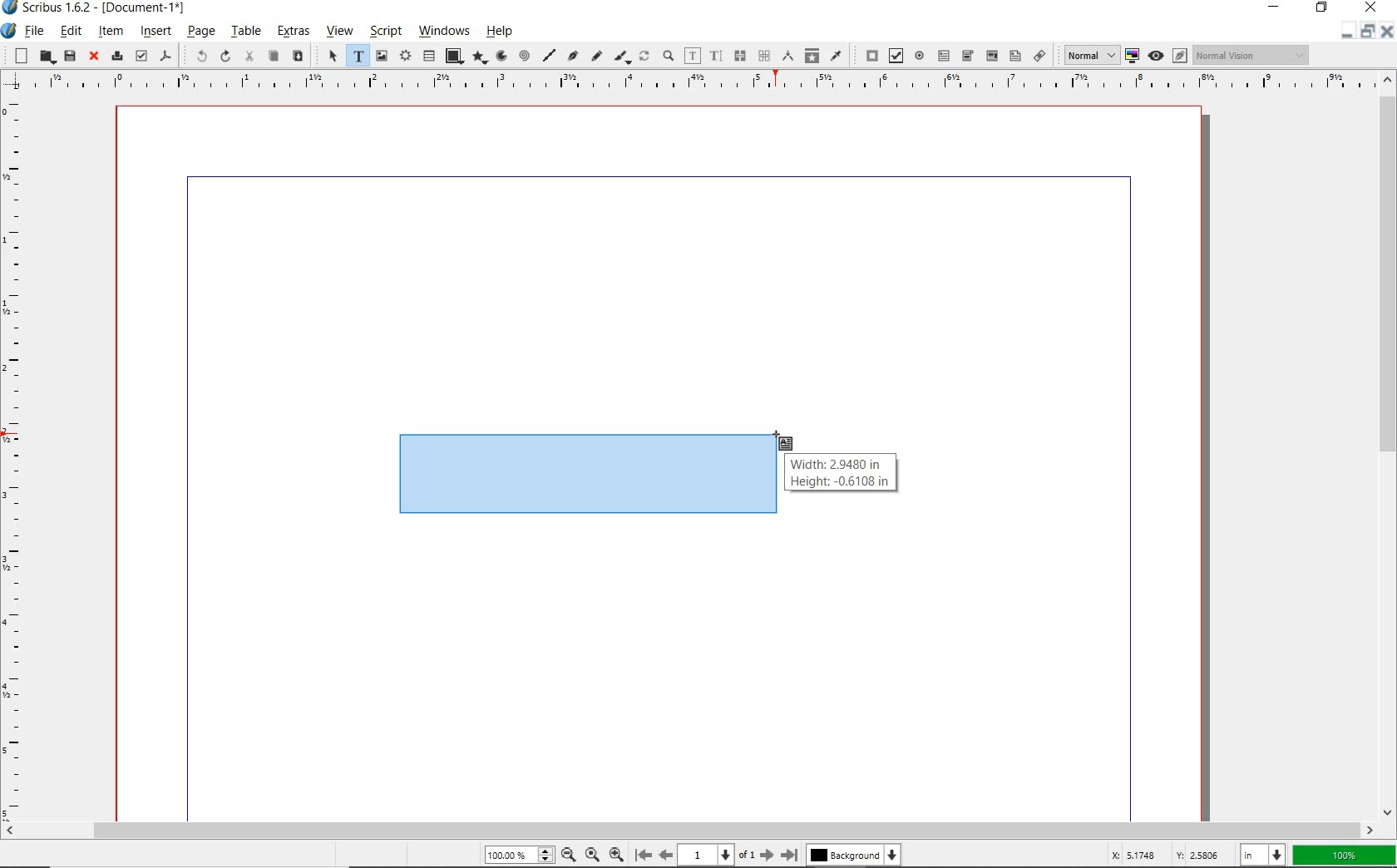 The image size is (1397, 868). What do you see at coordinates (503, 31) in the screenshot?
I see `help` at bounding box center [503, 31].